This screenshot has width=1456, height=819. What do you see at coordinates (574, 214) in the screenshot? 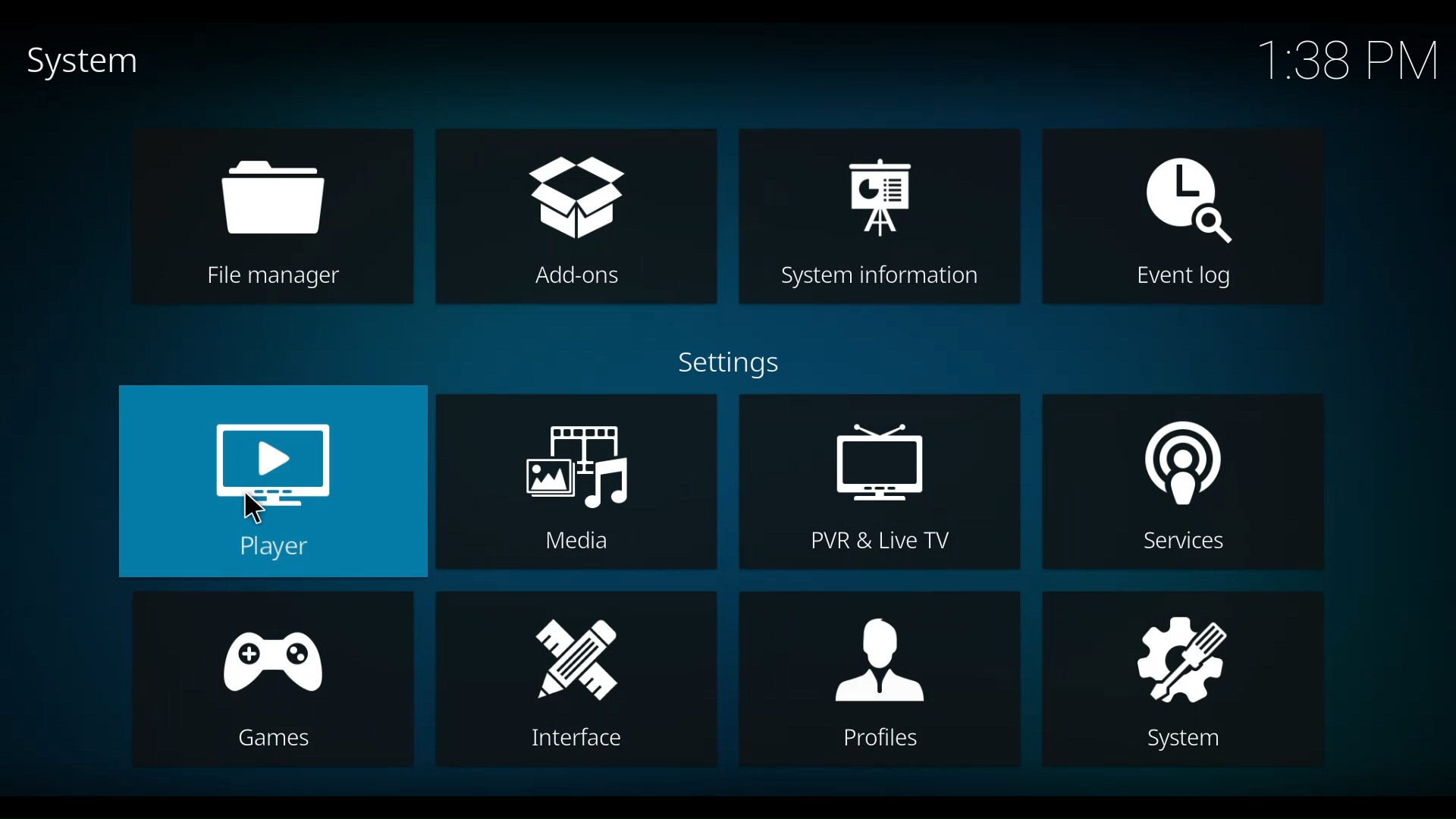
I see `Add-ons` at bounding box center [574, 214].